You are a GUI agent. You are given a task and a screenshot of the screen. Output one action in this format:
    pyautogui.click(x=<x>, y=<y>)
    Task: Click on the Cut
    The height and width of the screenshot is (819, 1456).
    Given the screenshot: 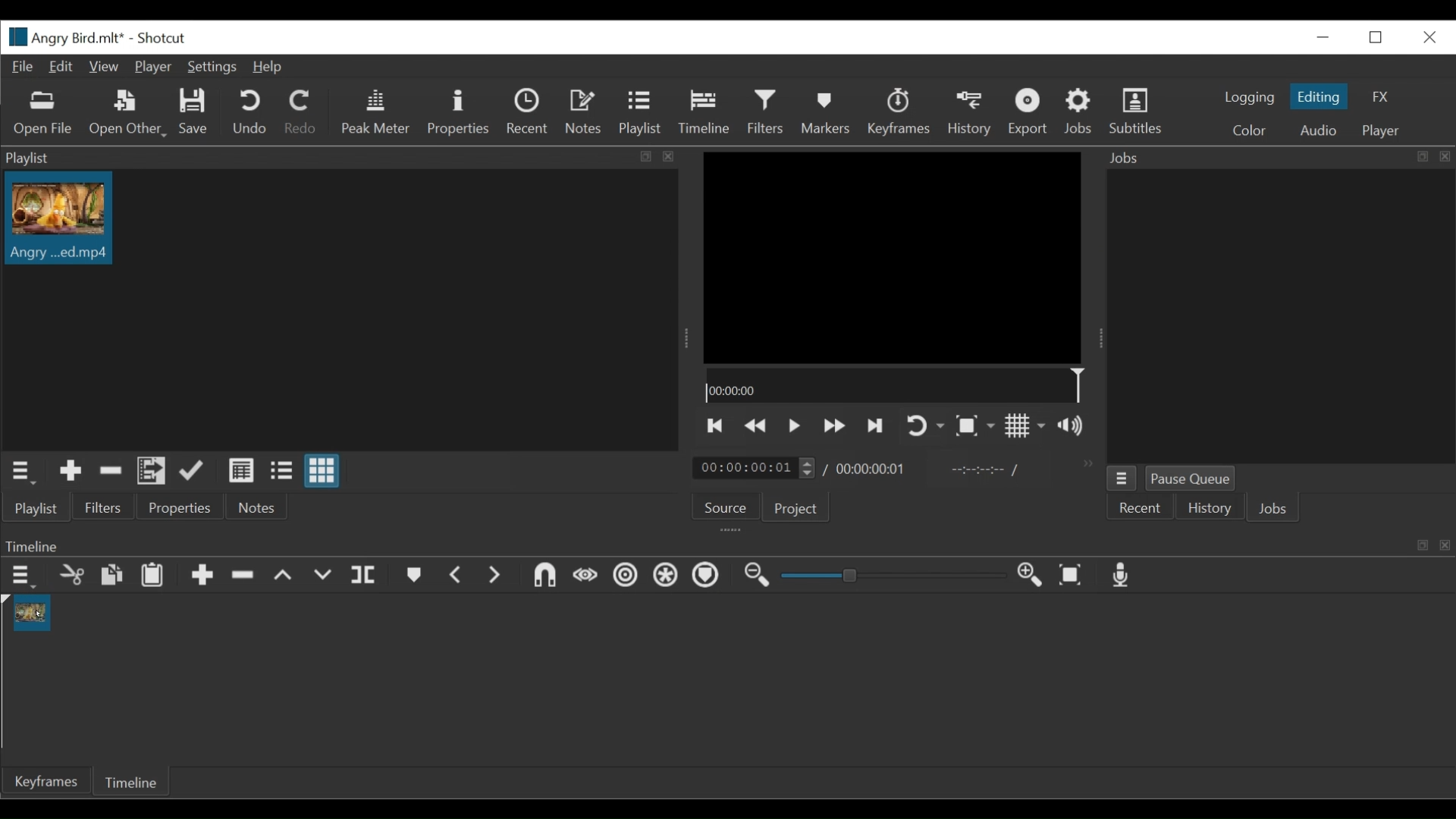 What is the action you would take?
    pyautogui.click(x=111, y=473)
    